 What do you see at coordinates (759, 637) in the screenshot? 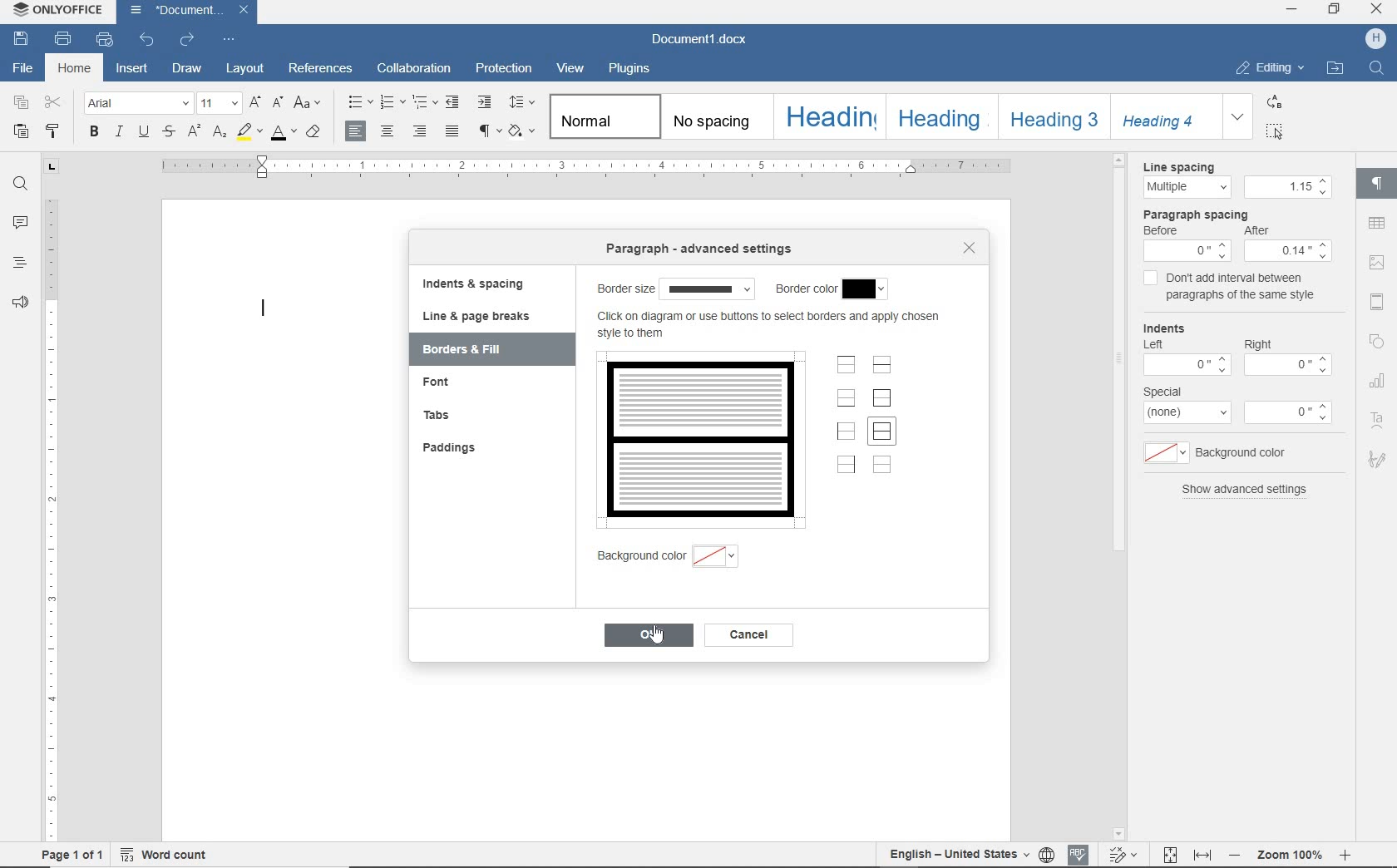
I see `cancel` at bounding box center [759, 637].